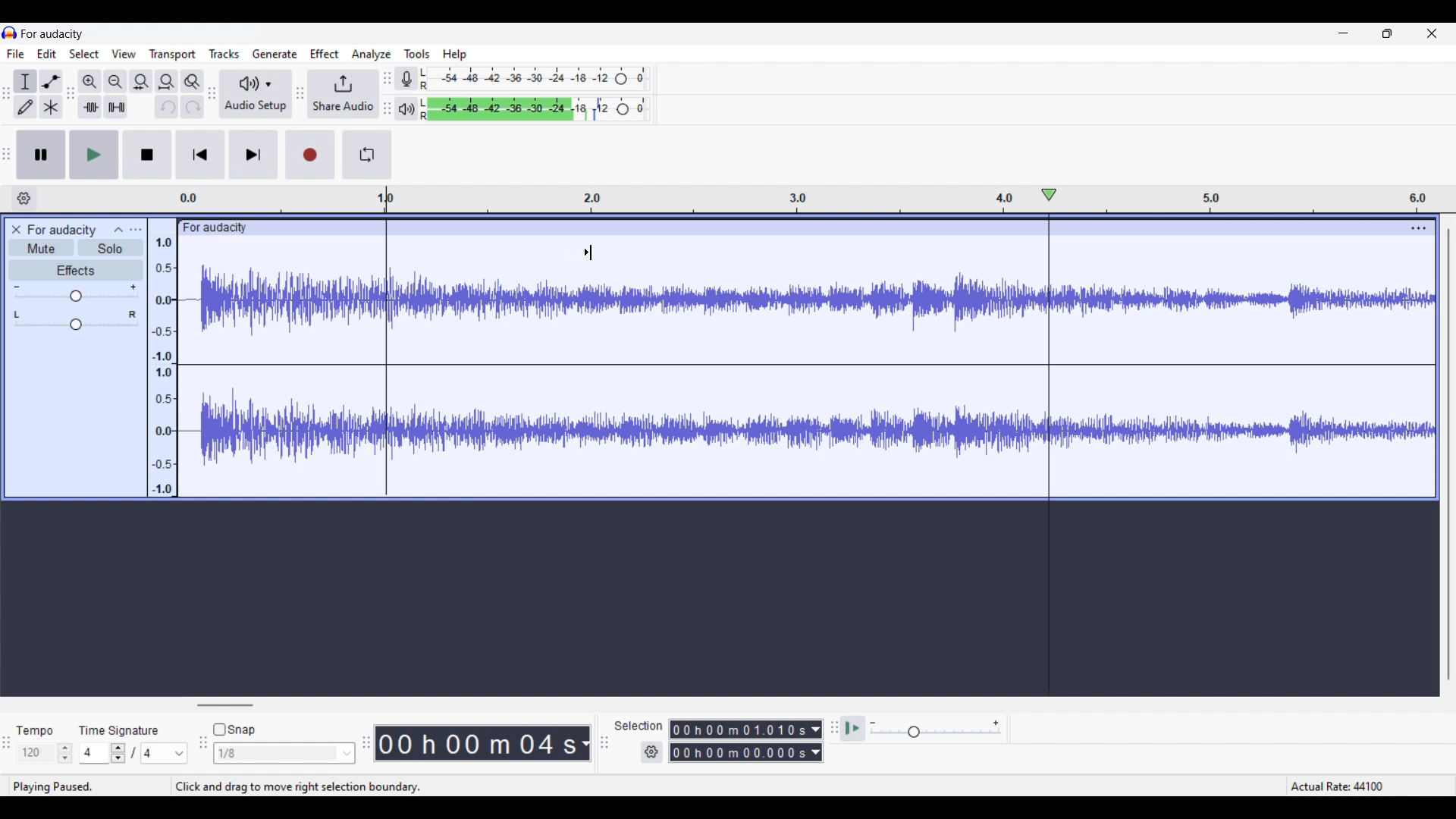  I want to click on Analyze menu, so click(371, 55).